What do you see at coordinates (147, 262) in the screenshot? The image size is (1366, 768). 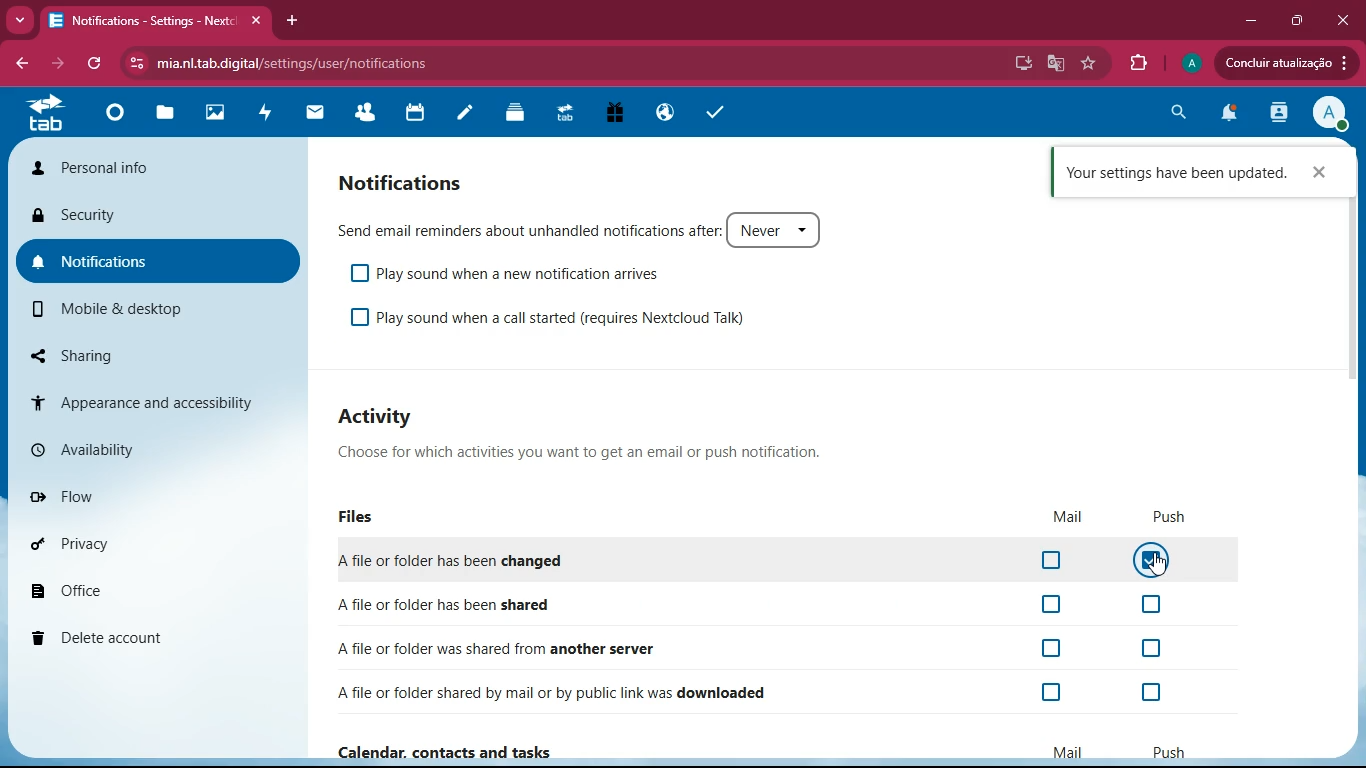 I see `notifications` at bounding box center [147, 262].